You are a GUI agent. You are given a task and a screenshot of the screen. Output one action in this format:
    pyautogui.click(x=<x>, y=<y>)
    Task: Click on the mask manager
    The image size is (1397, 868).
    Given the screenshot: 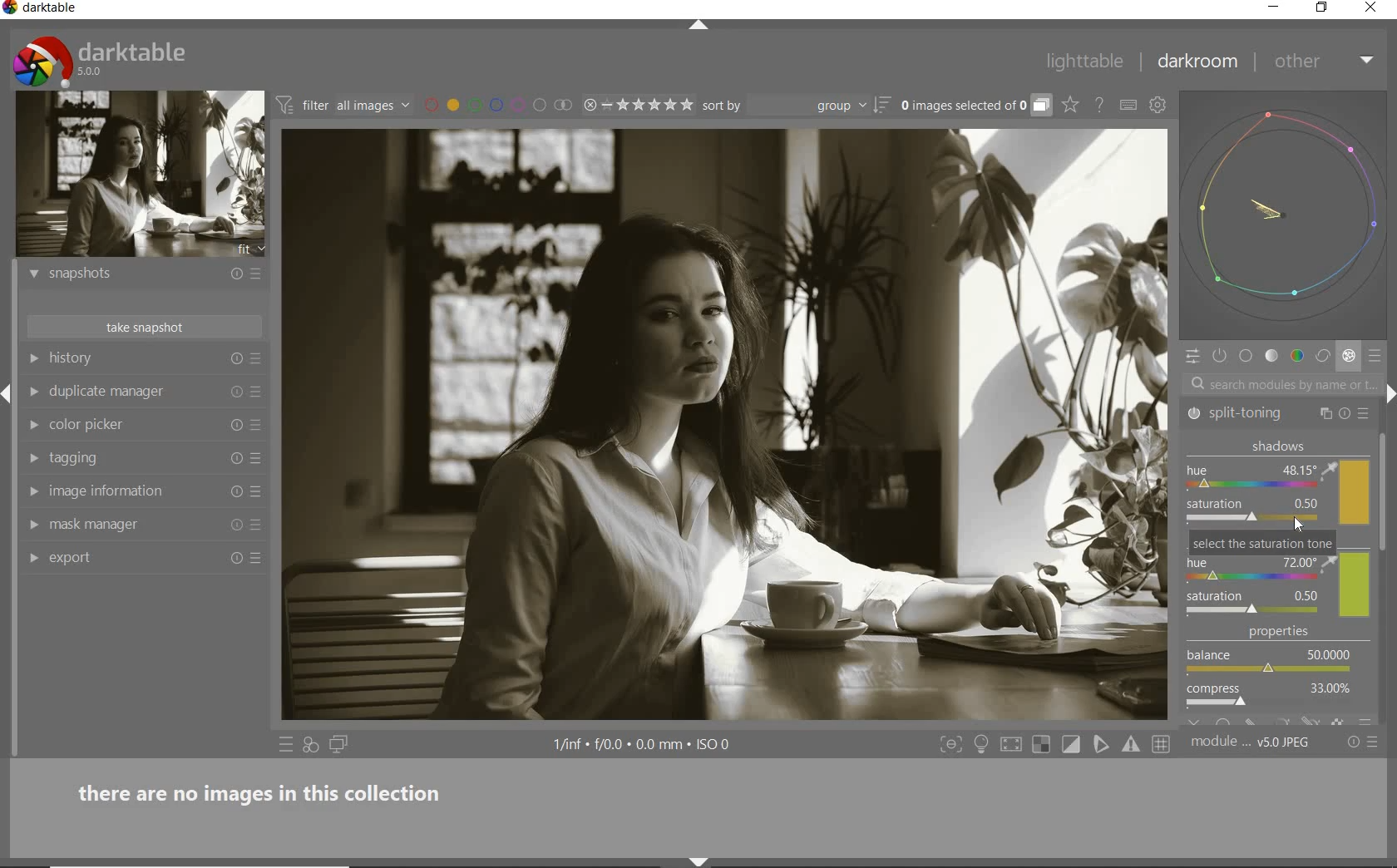 What is the action you would take?
    pyautogui.click(x=132, y=524)
    